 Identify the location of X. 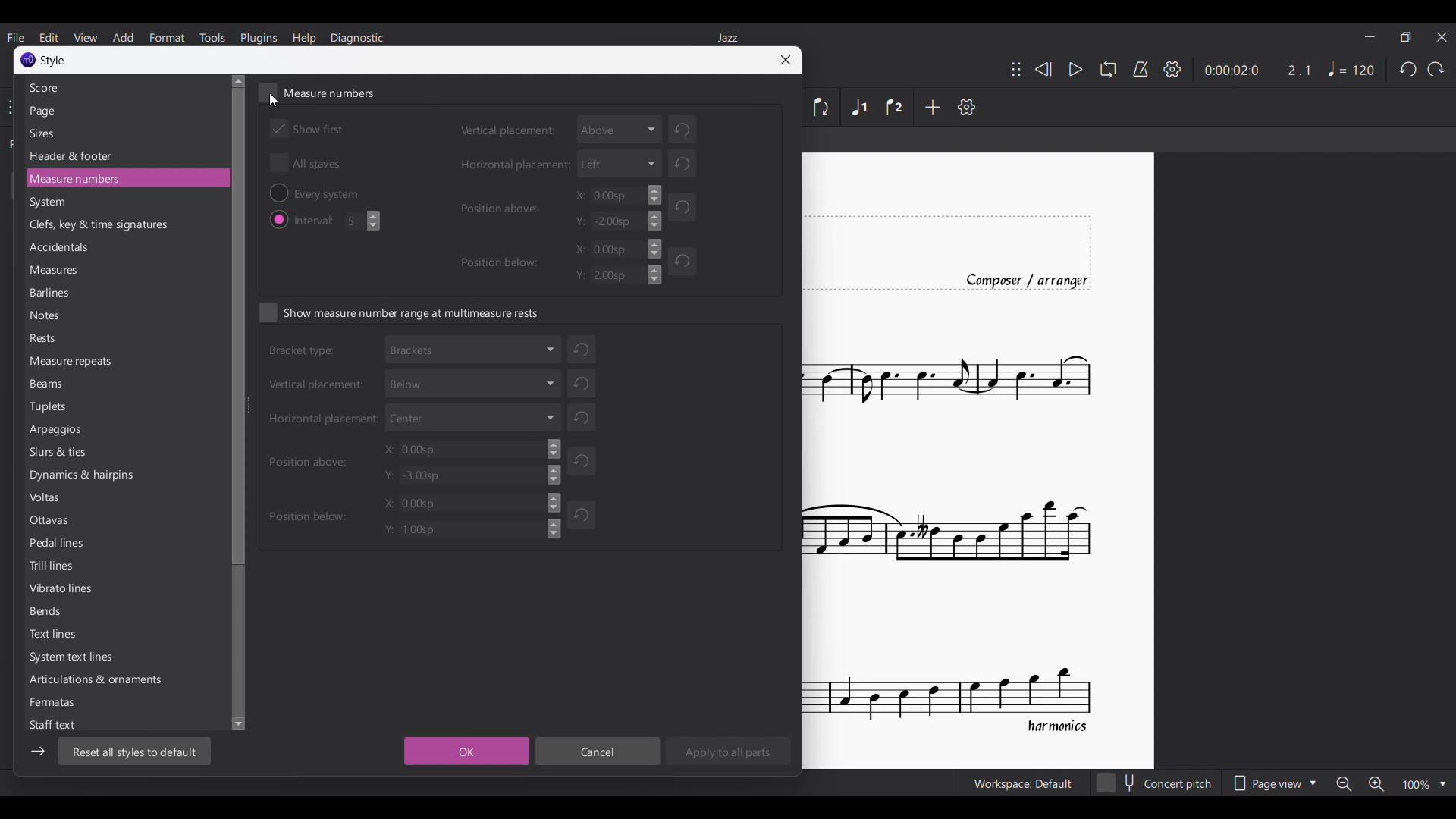
(474, 449).